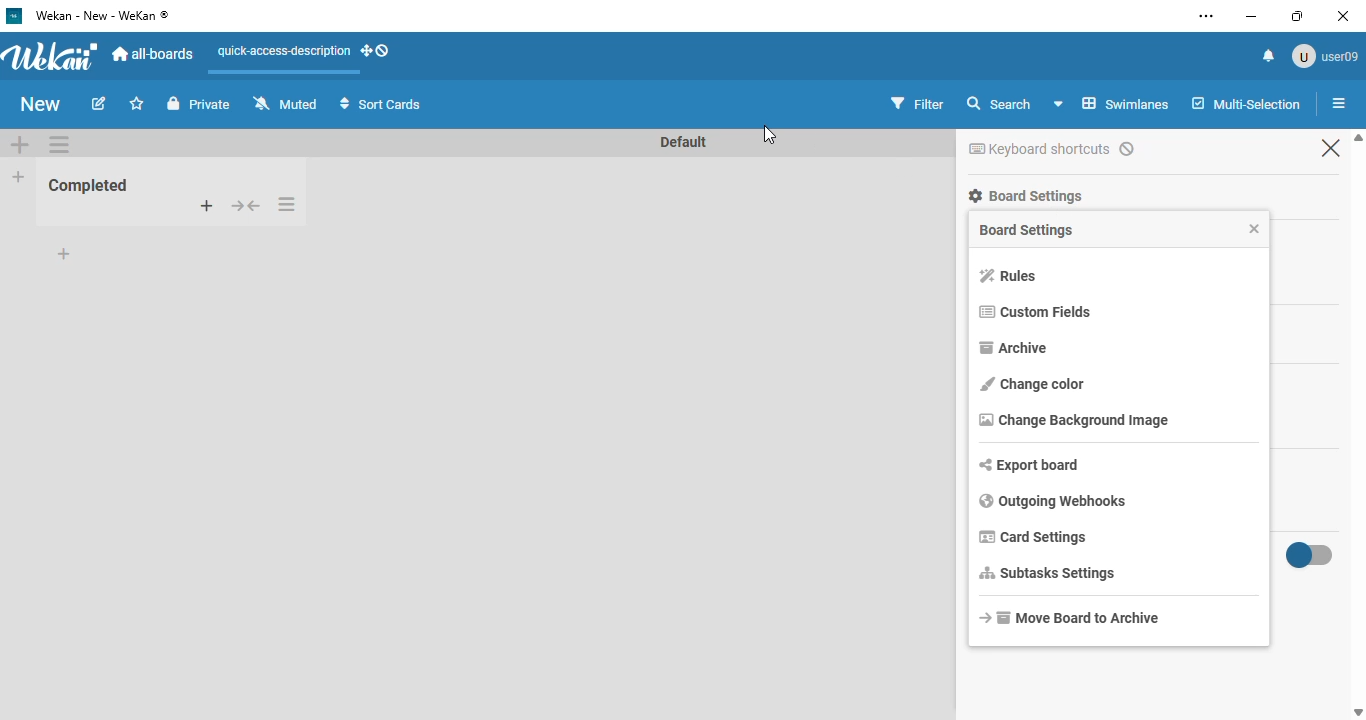 The height and width of the screenshot is (720, 1366). Describe the element at coordinates (1324, 56) in the screenshot. I see `user09 profile` at that location.